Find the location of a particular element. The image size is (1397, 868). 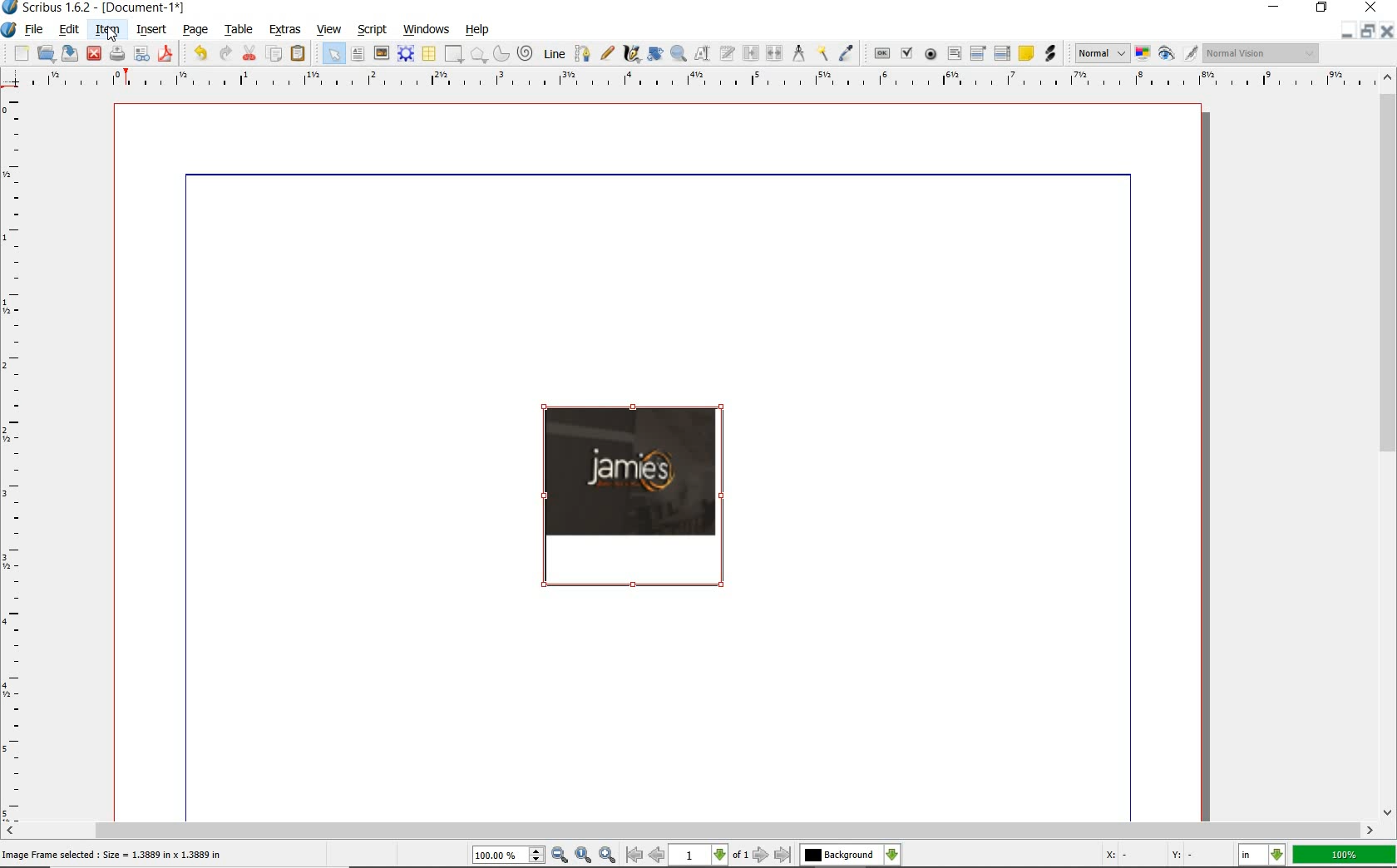

windows is located at coordinates (429, 28).